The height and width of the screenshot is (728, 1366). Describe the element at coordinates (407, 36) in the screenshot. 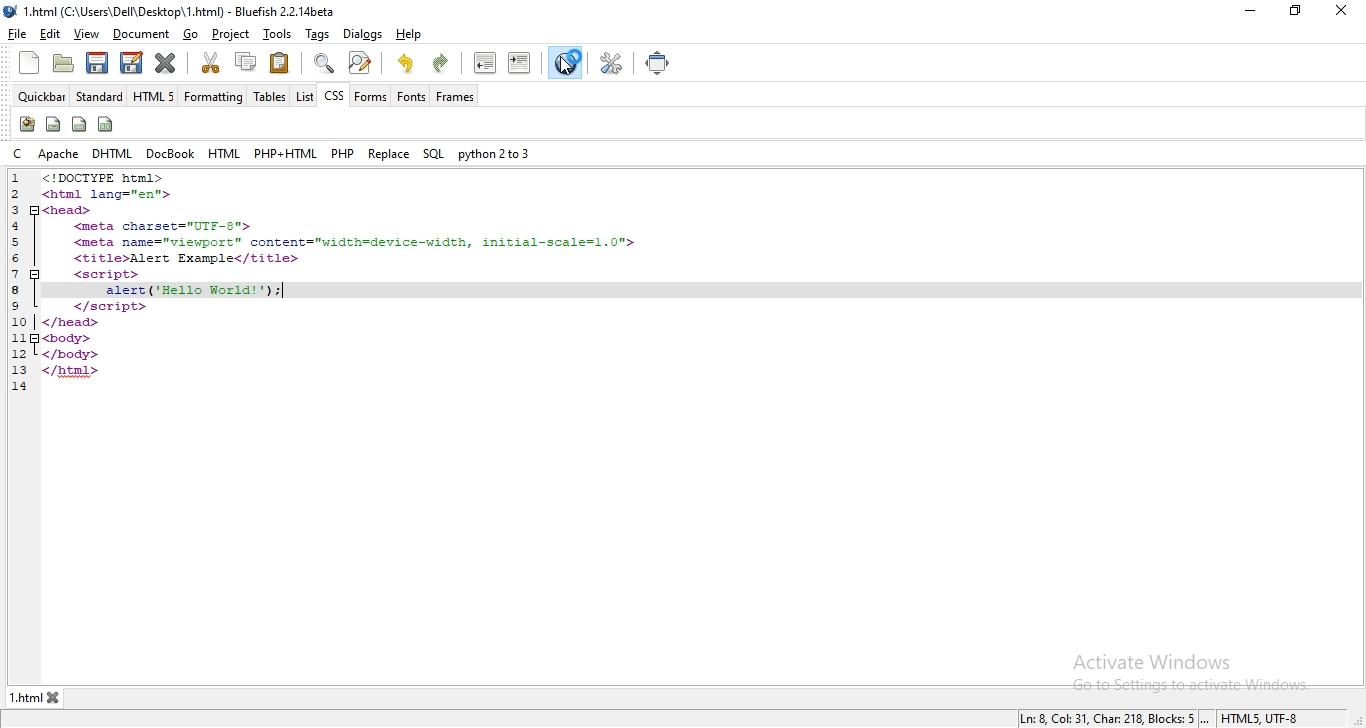

I see `help` at that location.